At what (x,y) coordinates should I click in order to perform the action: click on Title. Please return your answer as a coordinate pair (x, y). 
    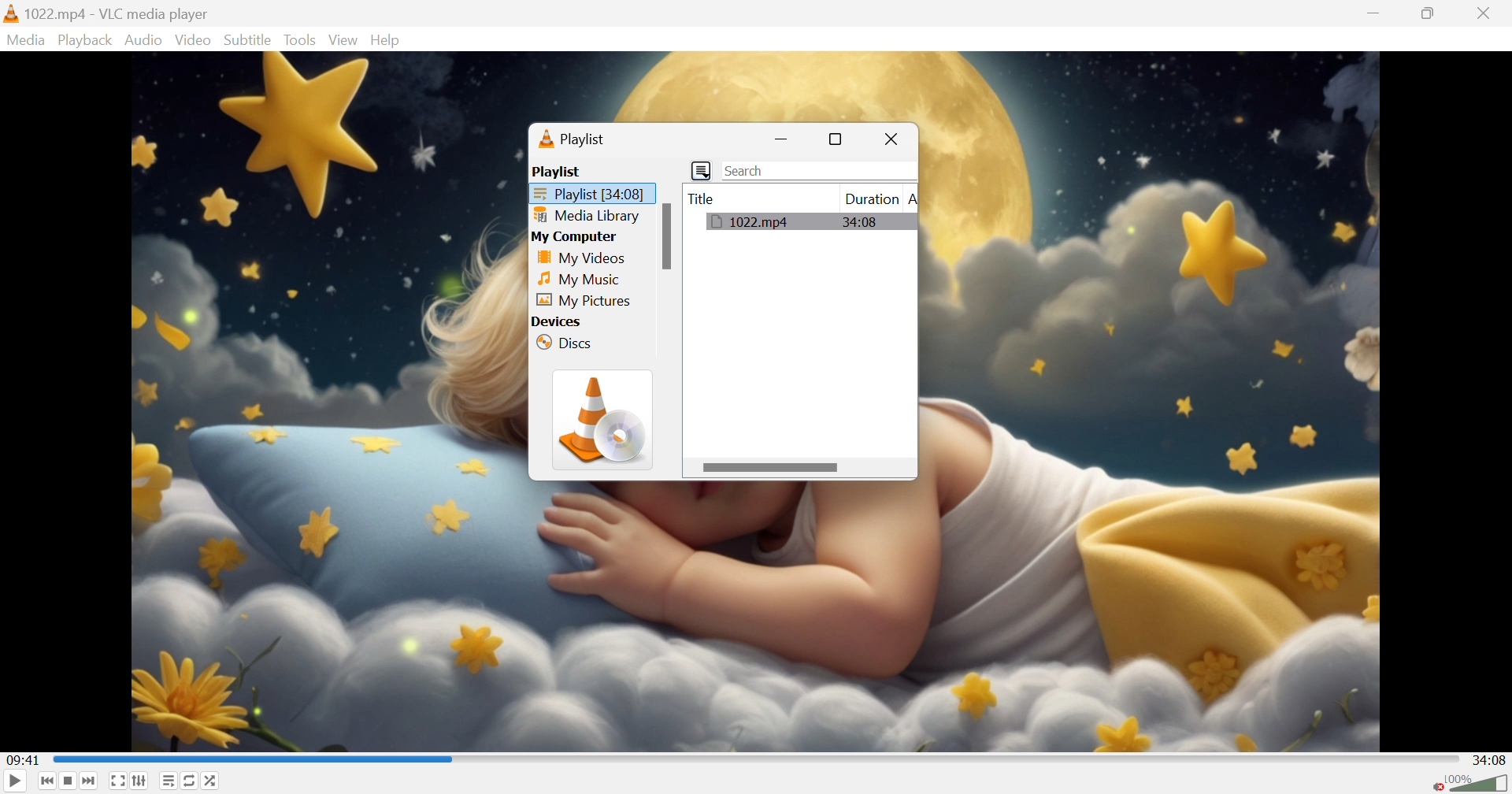
    Looking at the image, I should click on (703, 199).